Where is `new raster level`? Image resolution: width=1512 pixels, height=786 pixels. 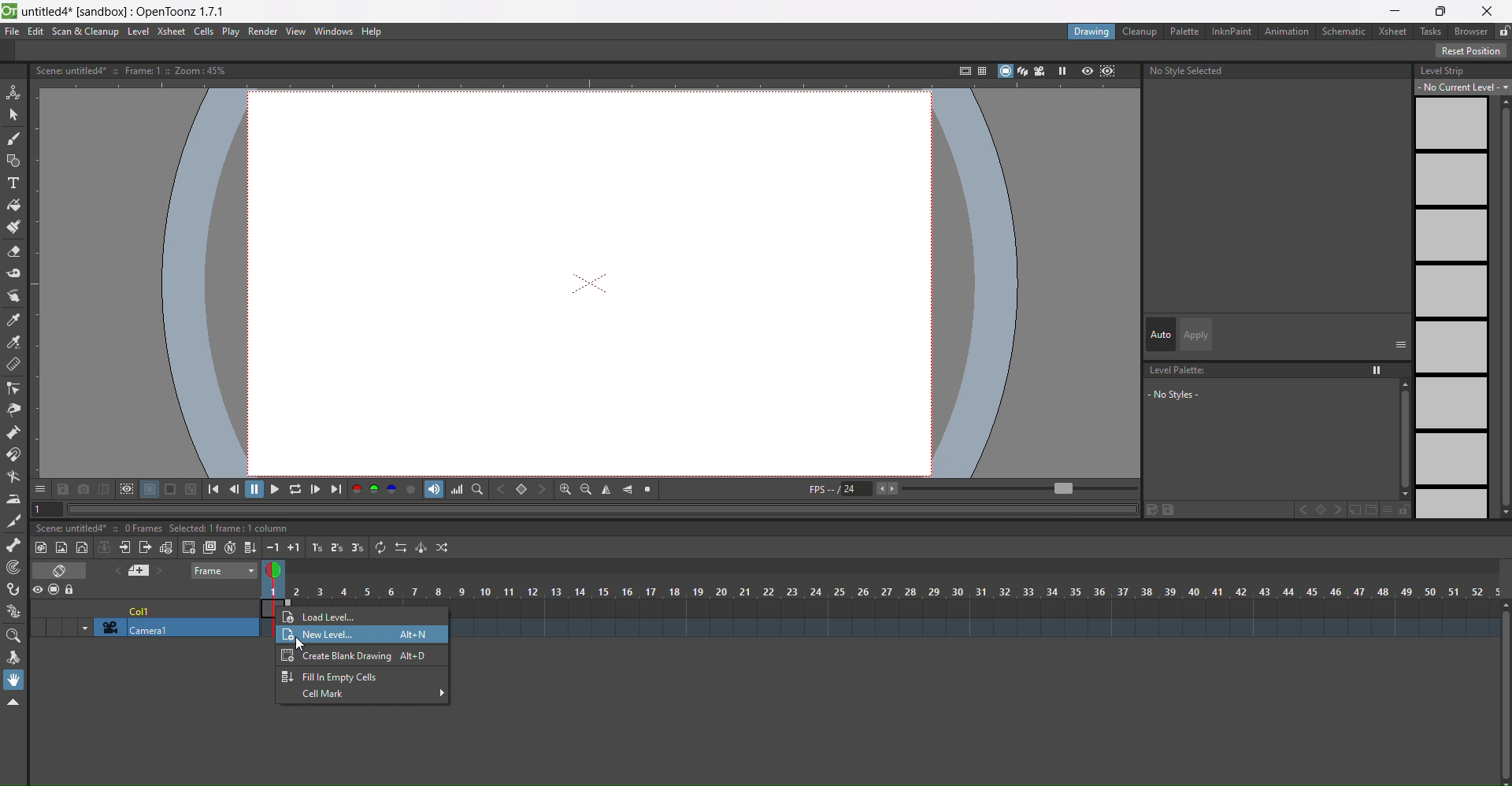
new raster level is located at coordinates (62, 549).